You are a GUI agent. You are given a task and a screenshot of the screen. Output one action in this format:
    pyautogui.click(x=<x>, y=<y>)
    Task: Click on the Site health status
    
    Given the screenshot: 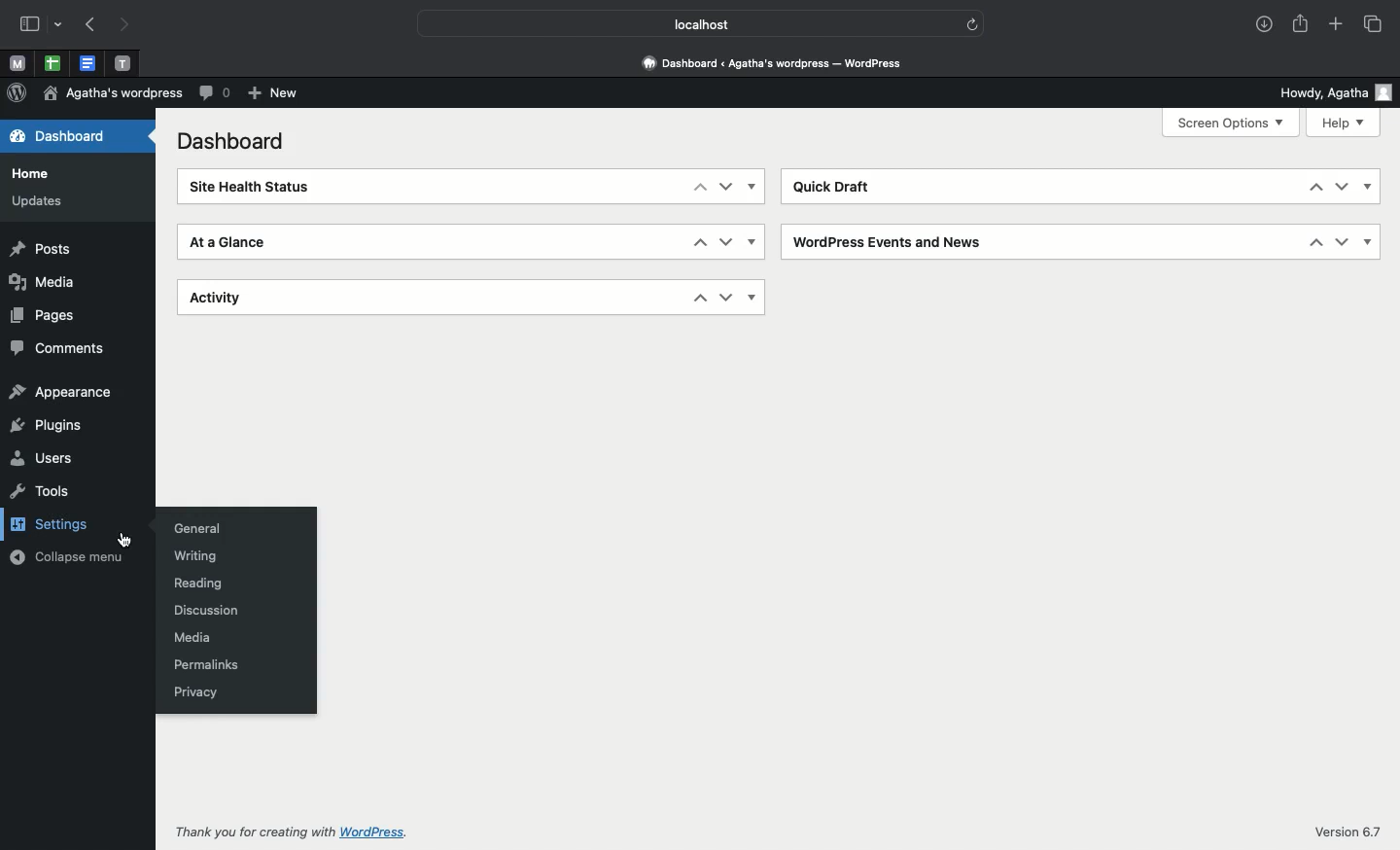 What is the action you would take?
    pyautogui.click(x=246, y=185)
    